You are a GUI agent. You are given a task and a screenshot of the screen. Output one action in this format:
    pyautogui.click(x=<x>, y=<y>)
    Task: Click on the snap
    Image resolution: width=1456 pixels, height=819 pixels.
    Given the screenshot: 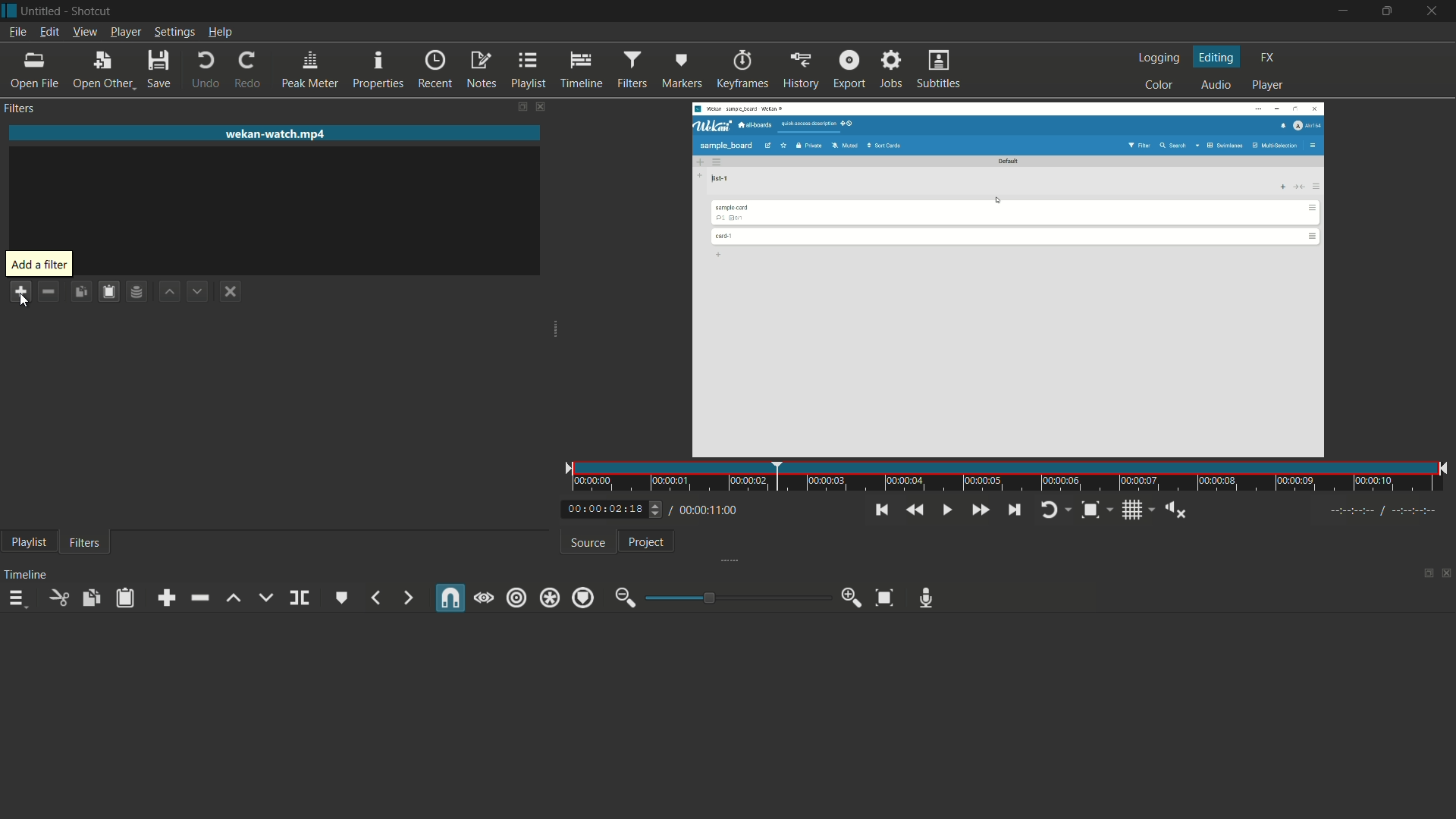 What is the action you would take?
    pyautogui.click(x=452, y=598)
    